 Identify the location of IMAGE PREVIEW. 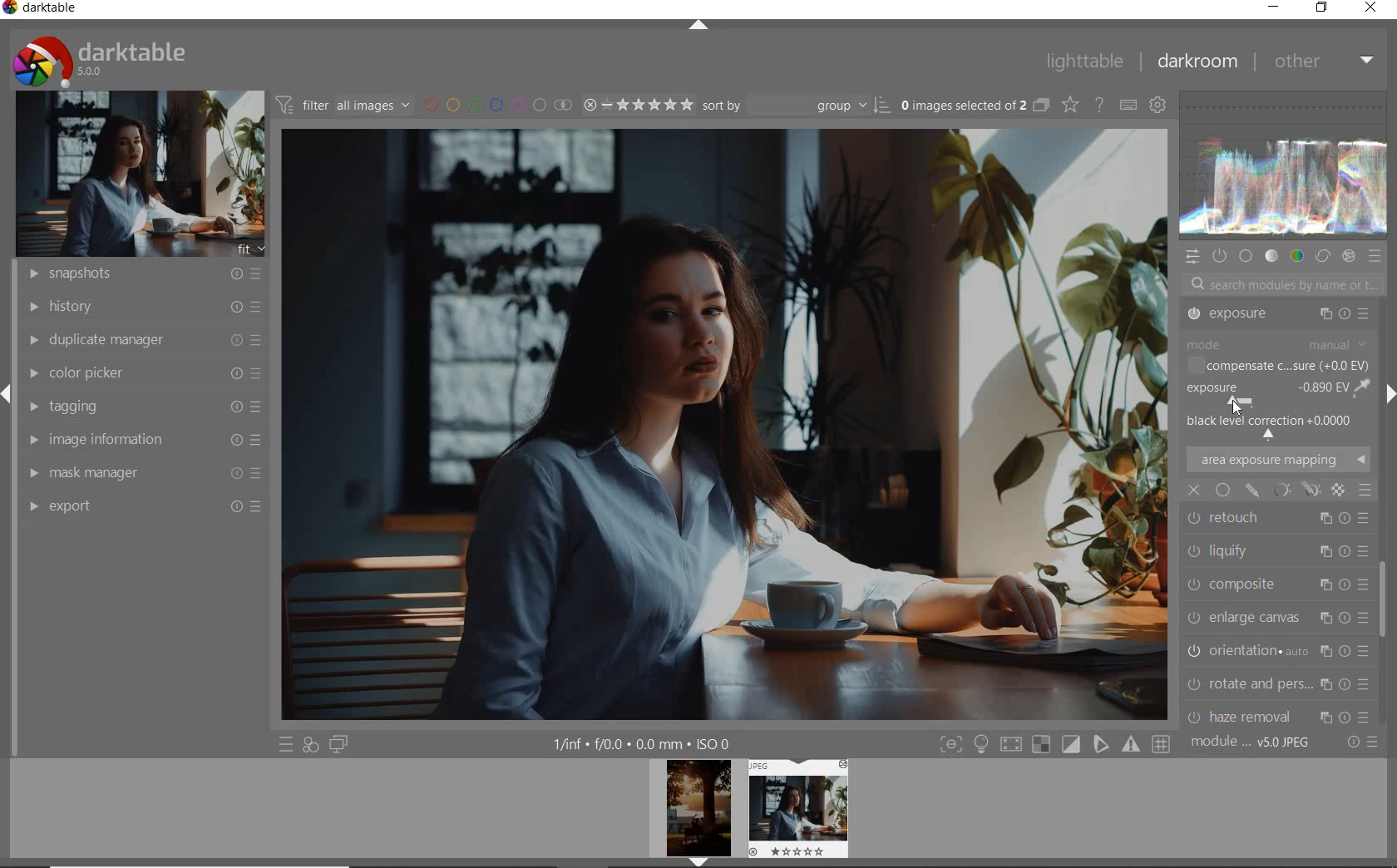
(698, 814).